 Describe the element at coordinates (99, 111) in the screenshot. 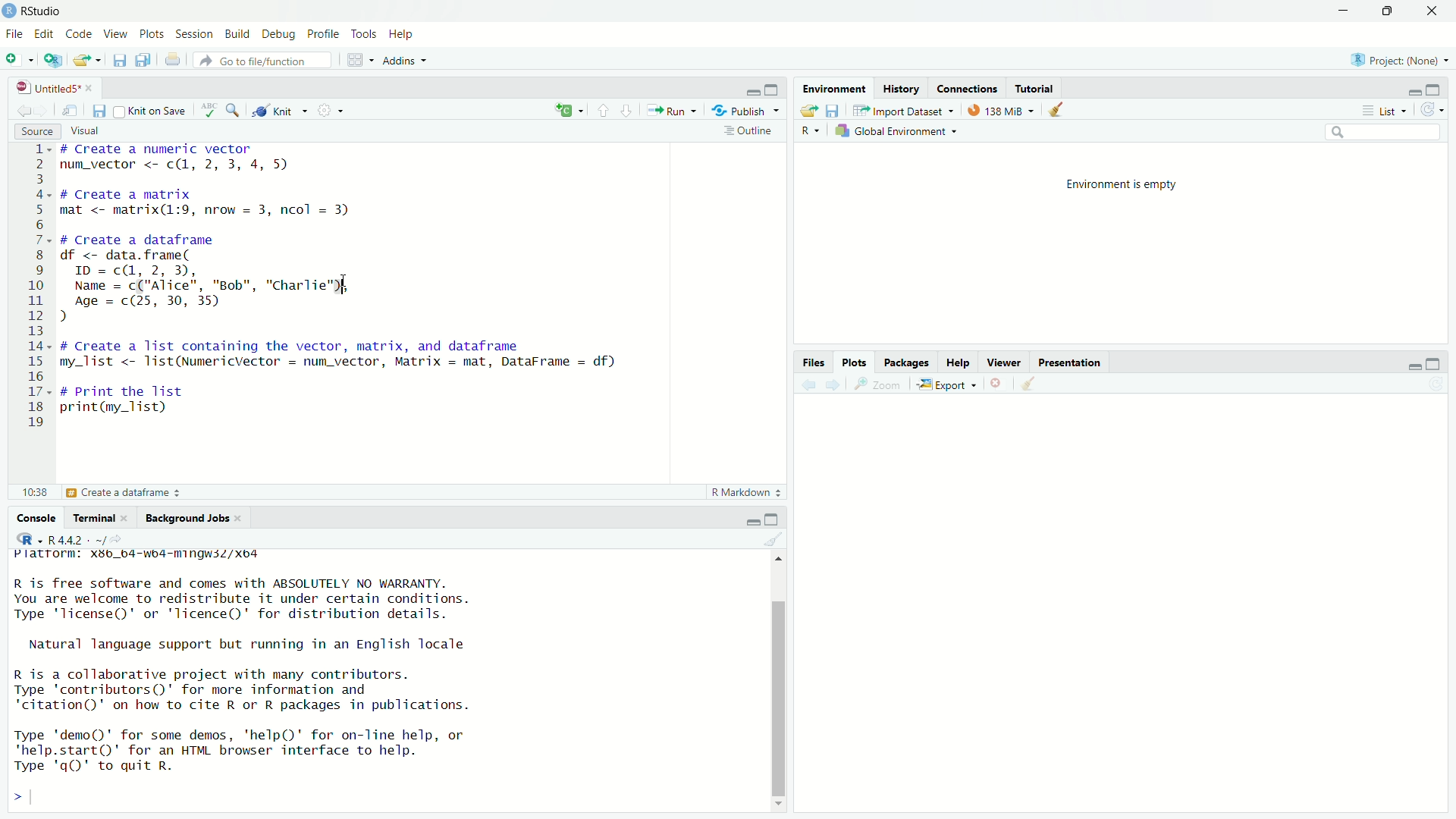

I see `save` at that location.